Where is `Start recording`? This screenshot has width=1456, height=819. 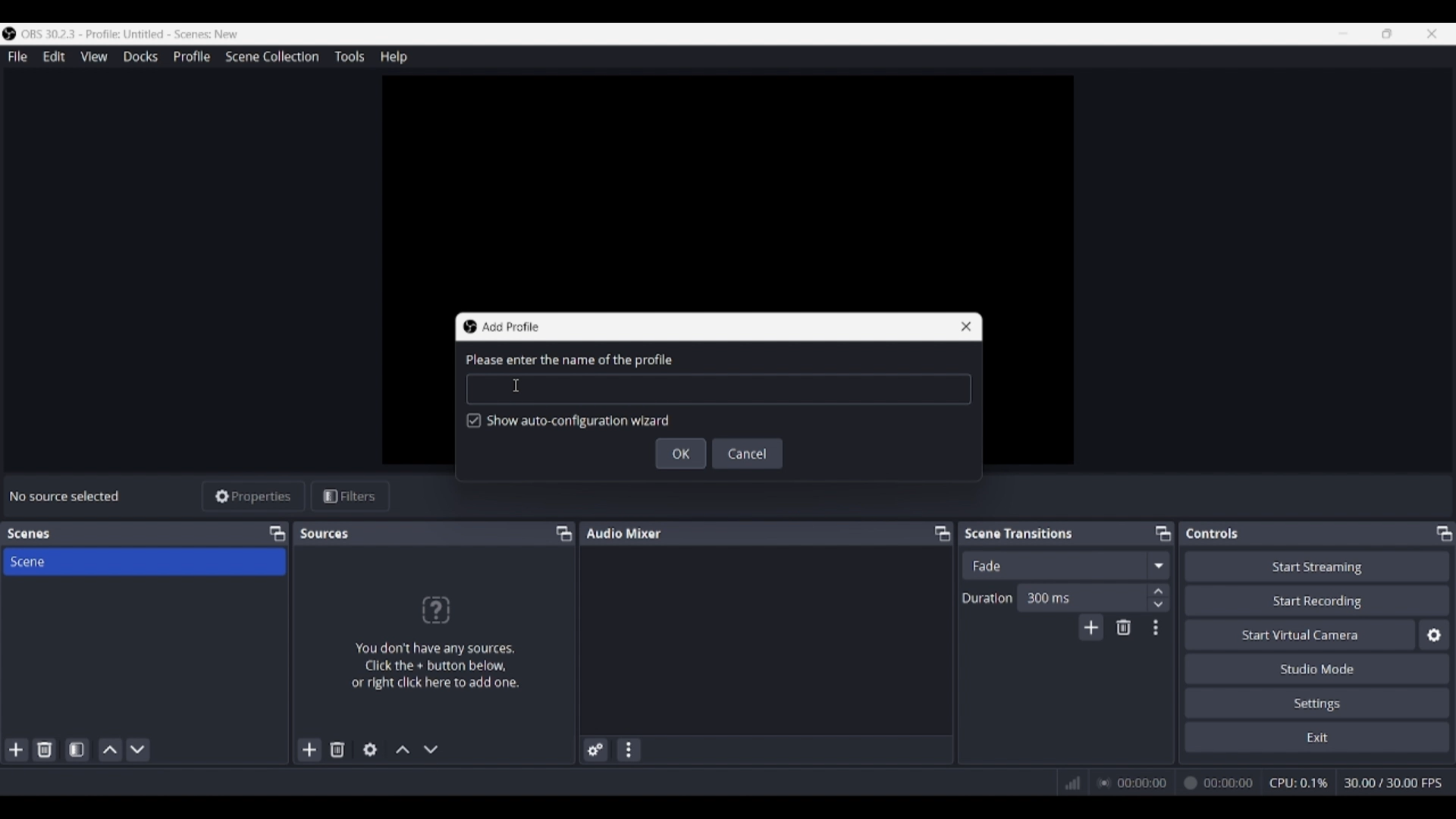
Start recording is located at coordinates (1318, 600).